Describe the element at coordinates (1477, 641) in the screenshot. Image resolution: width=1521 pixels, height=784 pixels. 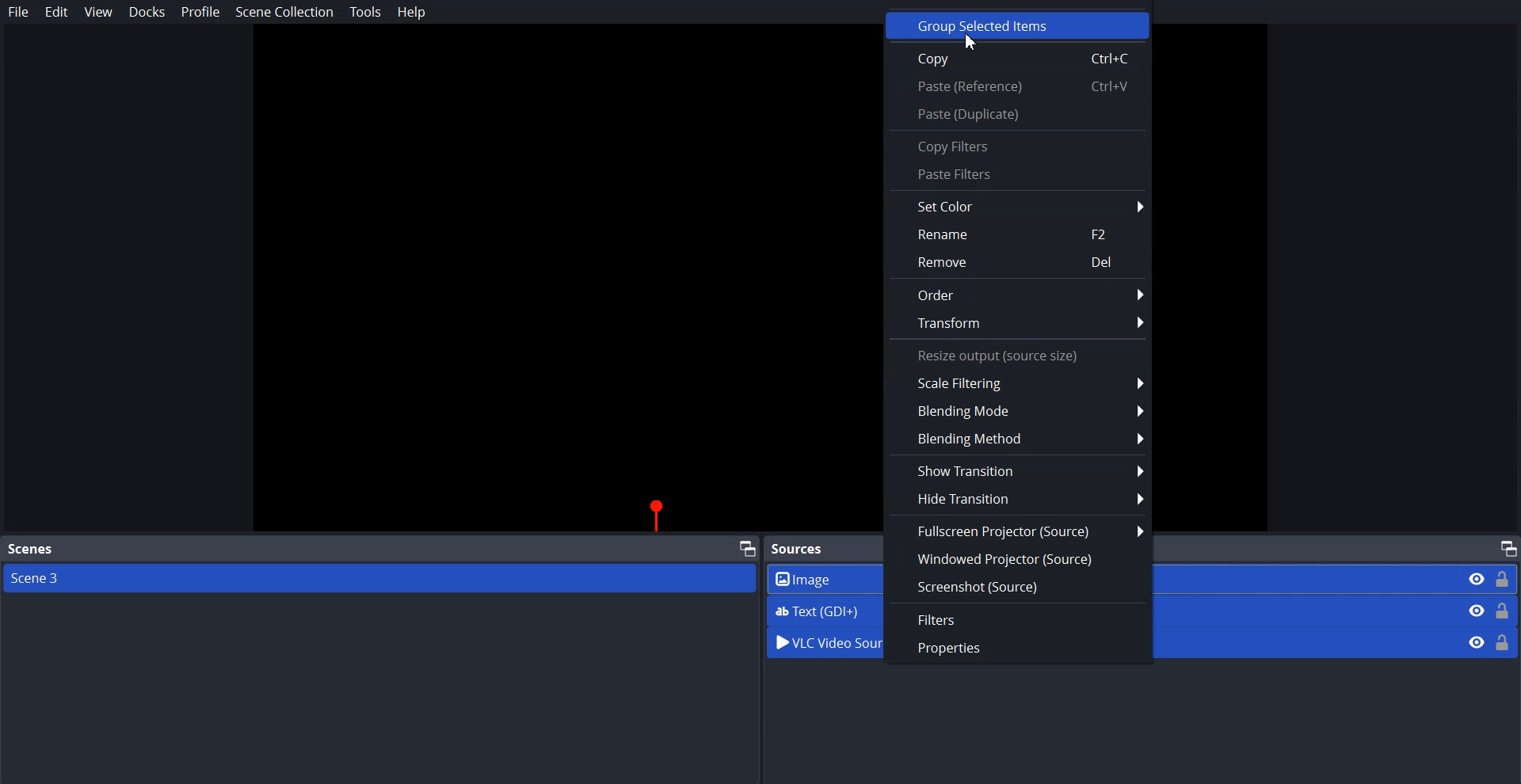
I see `Eye` at that location.